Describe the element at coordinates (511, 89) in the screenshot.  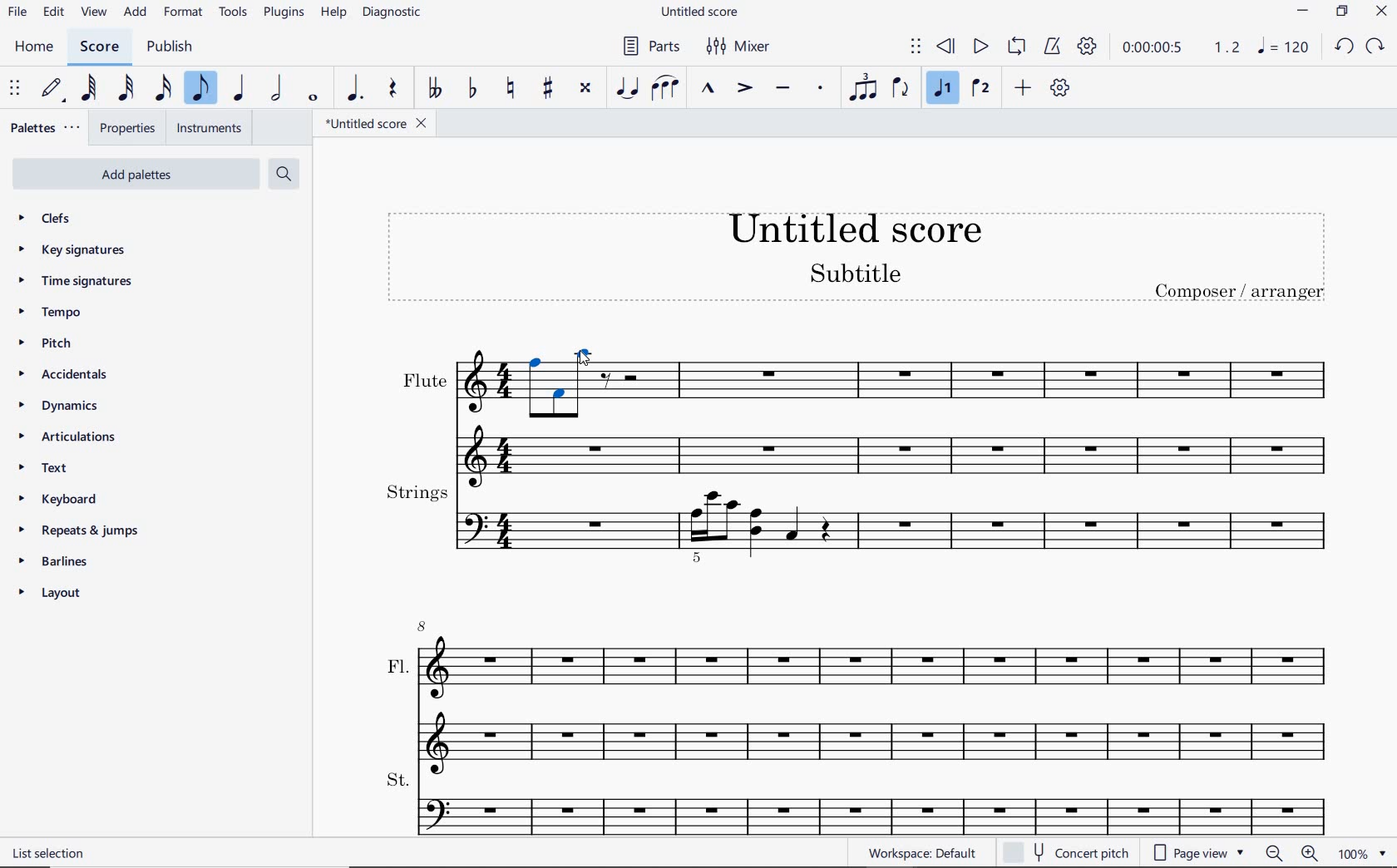
I see `TOGGLE NATURAL` at that location.